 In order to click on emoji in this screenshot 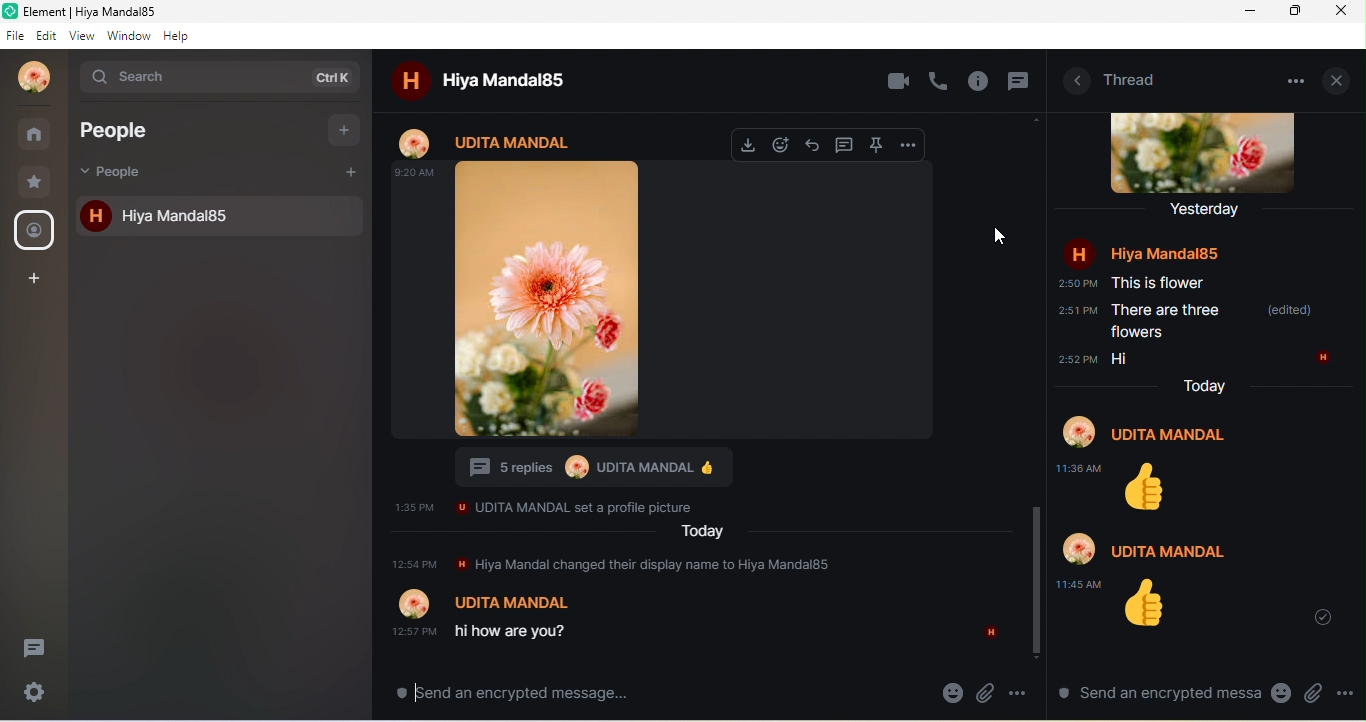, I will do `click(954, 692)`.